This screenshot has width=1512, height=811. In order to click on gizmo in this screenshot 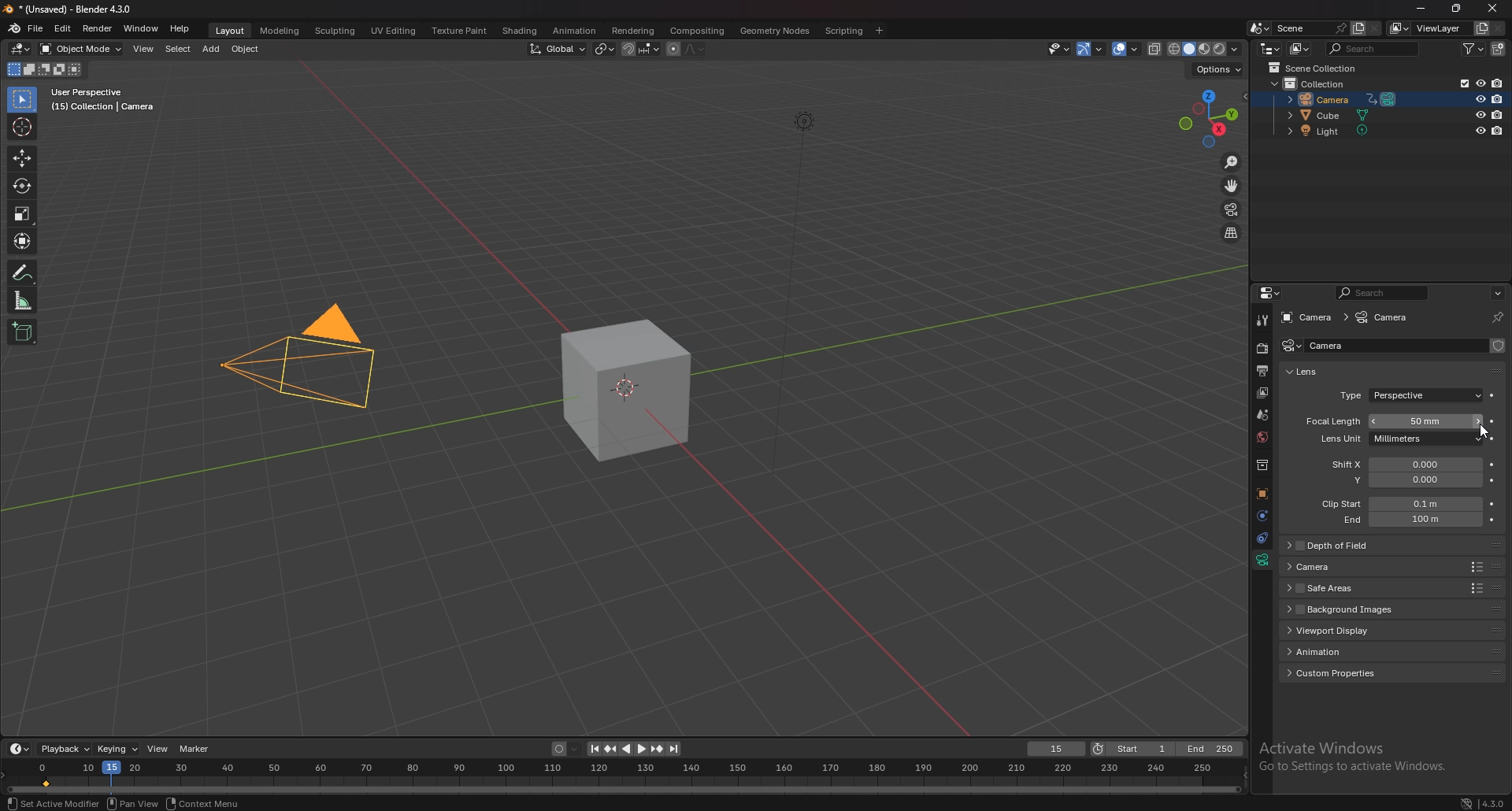, I will do `click(1091, 49)`.